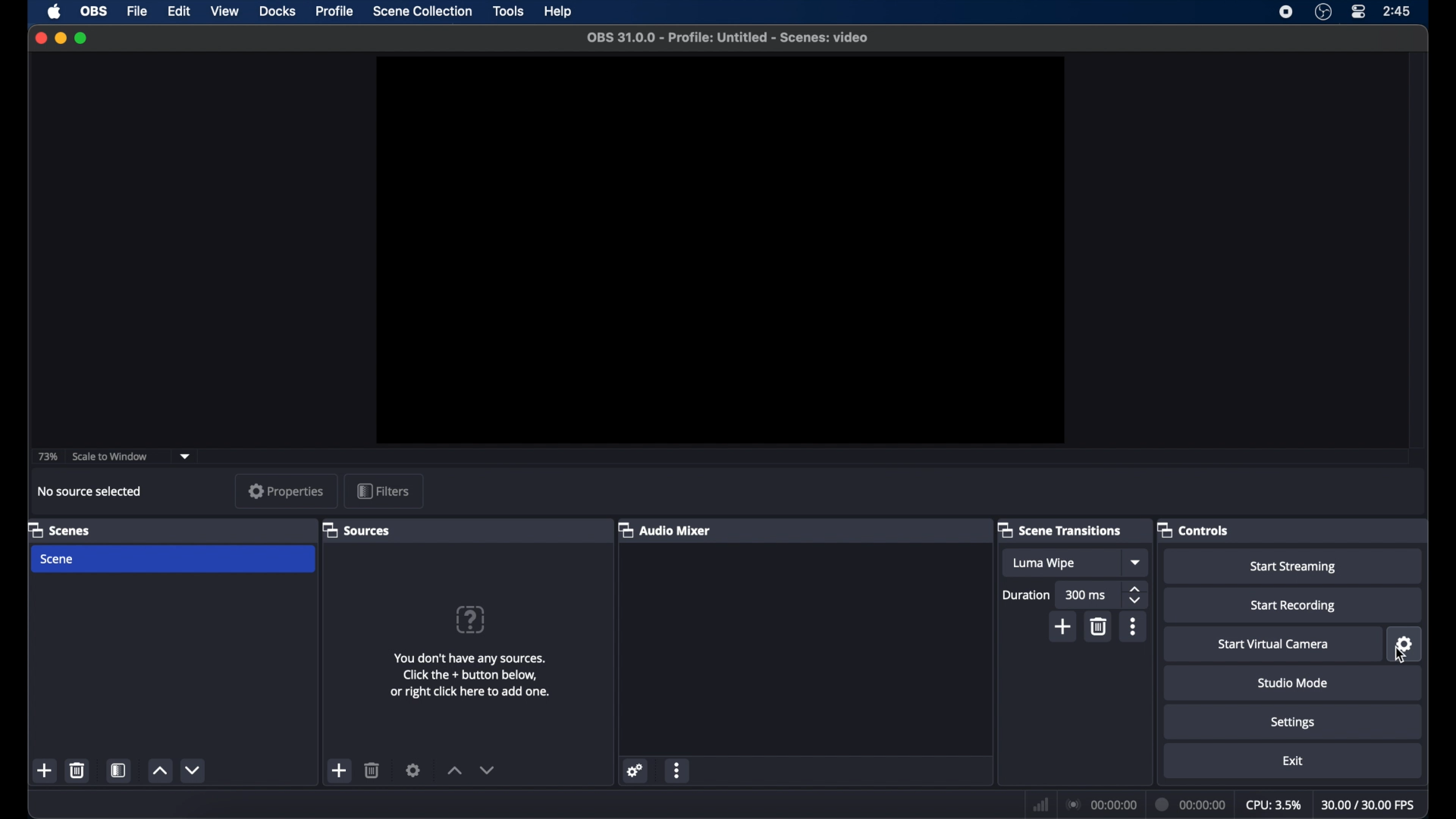 This screenshot has width=1456, height=819. Describe the element at coordinates (1040, 804) in the screenshot. I see `netwrok` at that location.